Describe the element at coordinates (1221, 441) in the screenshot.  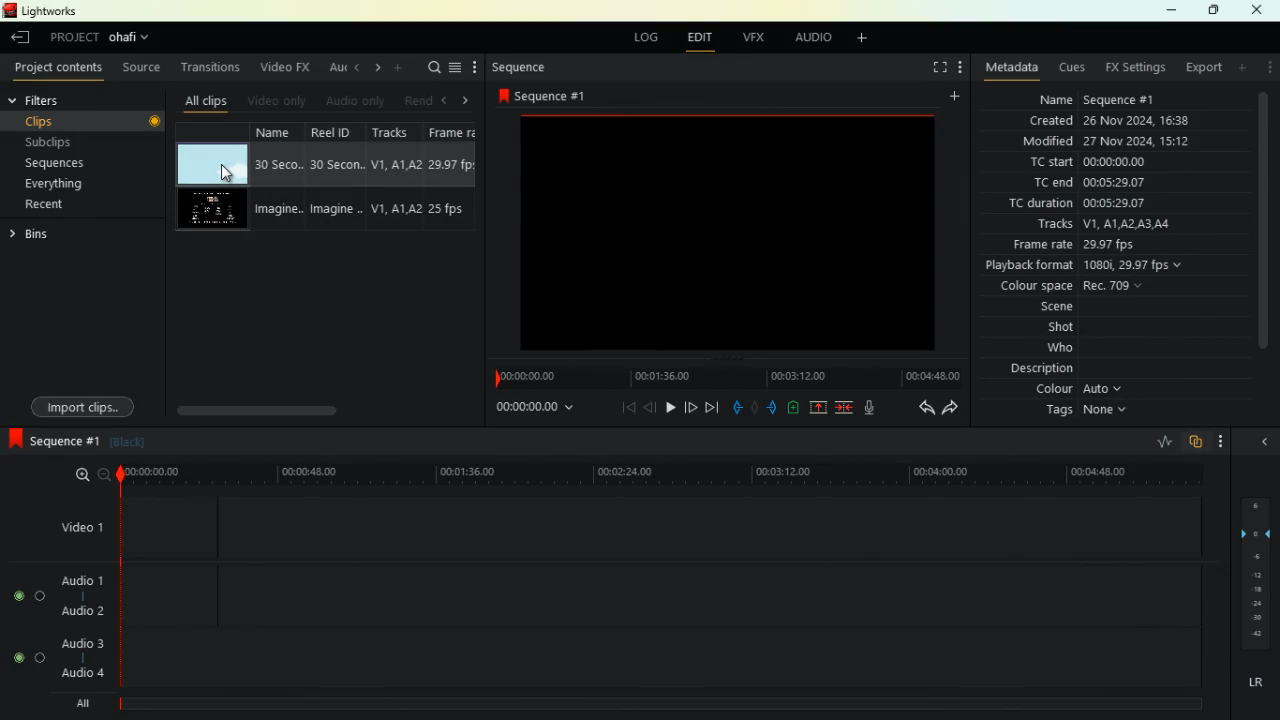
I see `more` at that location.